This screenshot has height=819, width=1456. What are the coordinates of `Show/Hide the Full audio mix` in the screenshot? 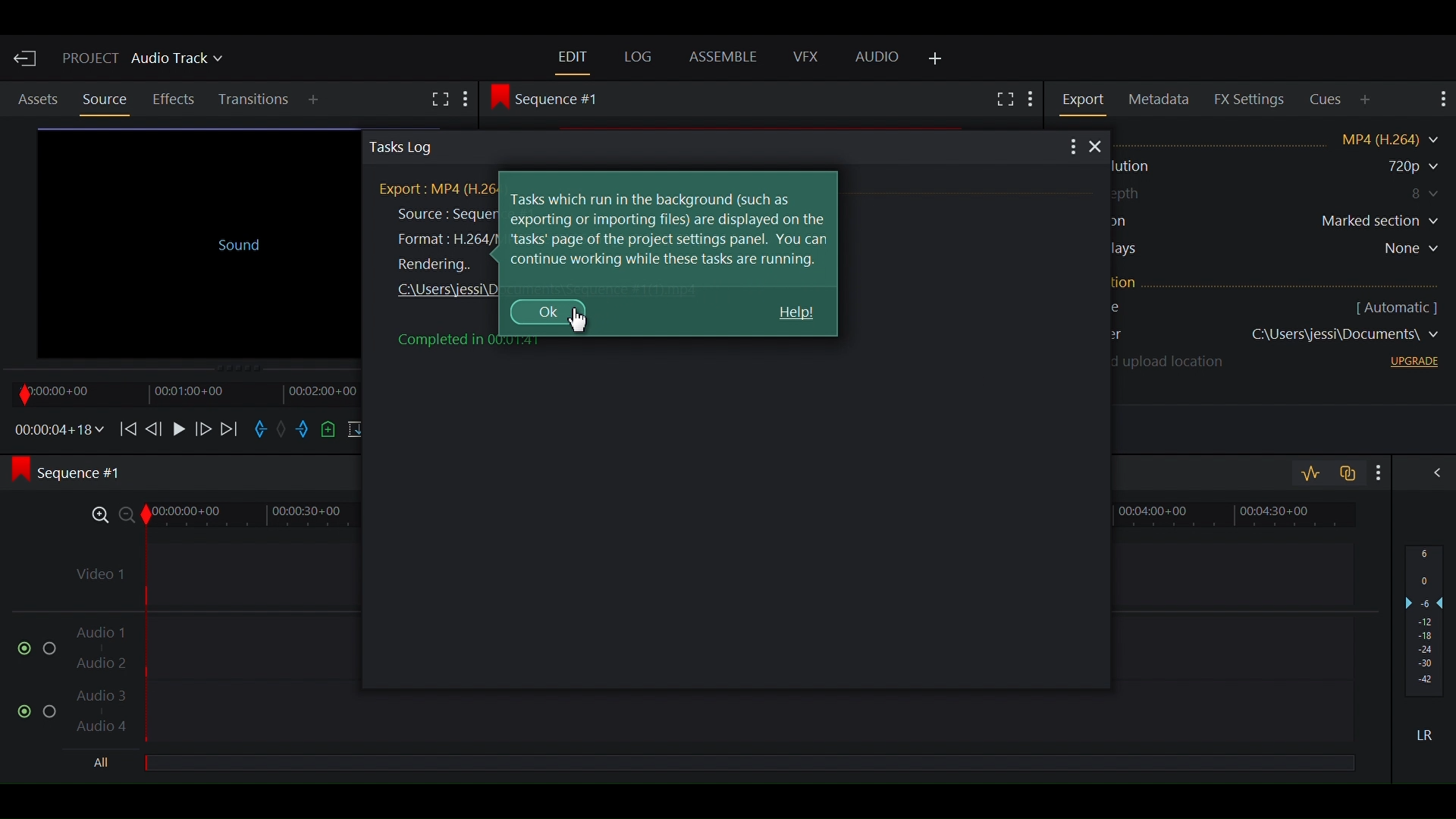 It's located at (1432, 475).